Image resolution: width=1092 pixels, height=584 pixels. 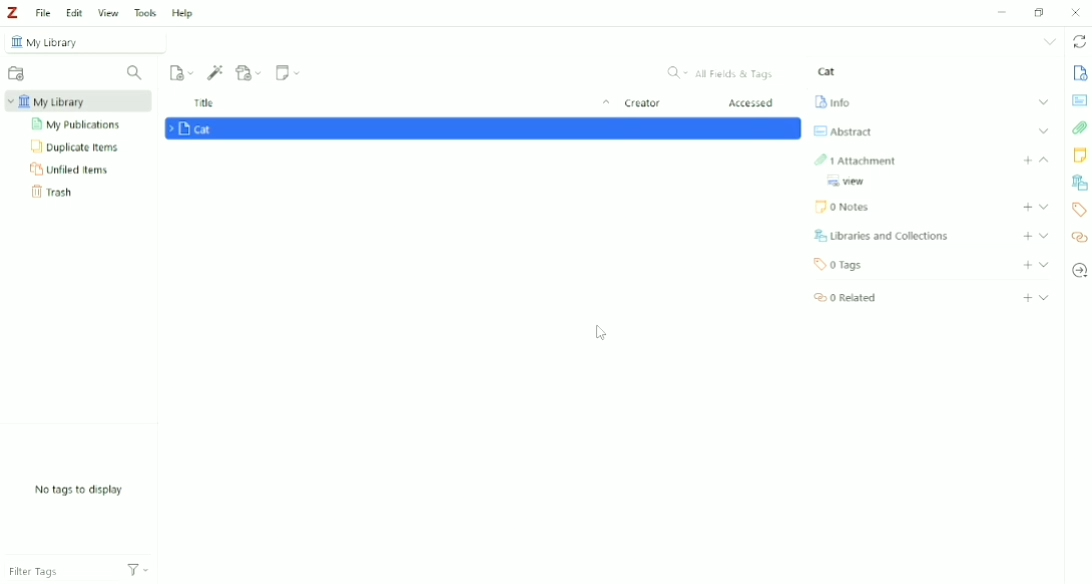 I want to click on Expand section, so click(x=1044, y=235).